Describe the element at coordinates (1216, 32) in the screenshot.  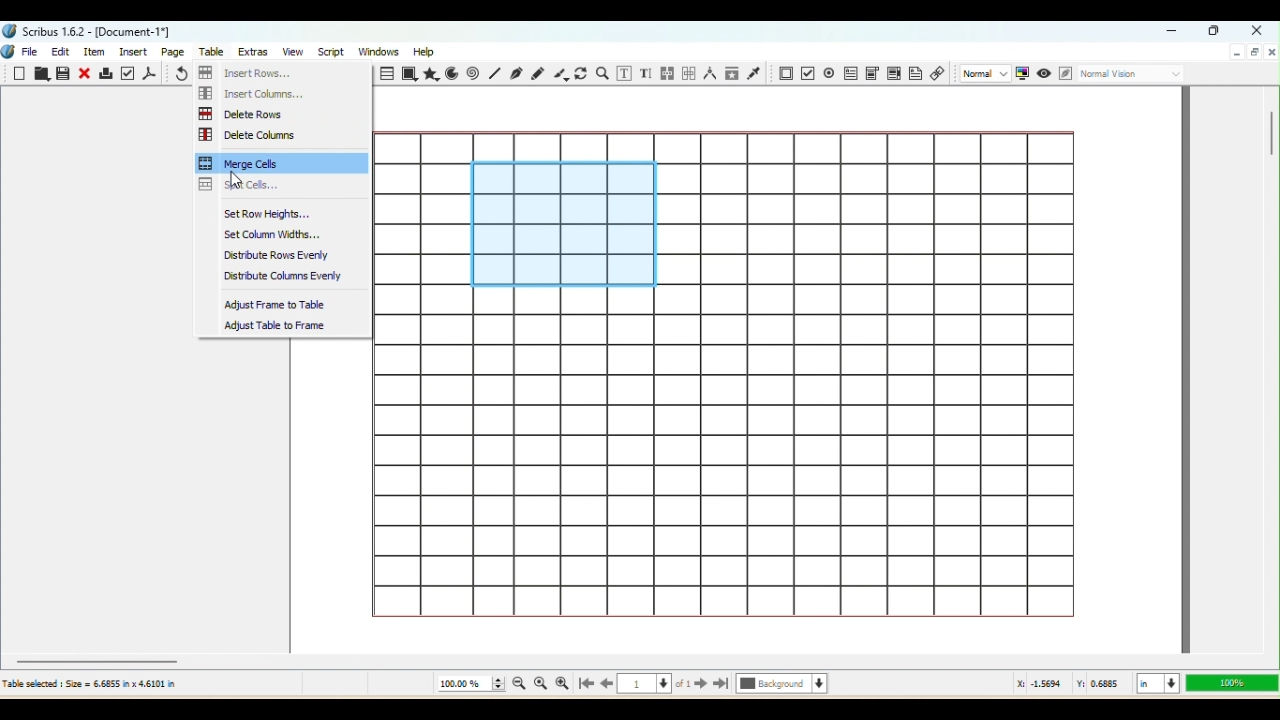
I see `Maximize` at that location.